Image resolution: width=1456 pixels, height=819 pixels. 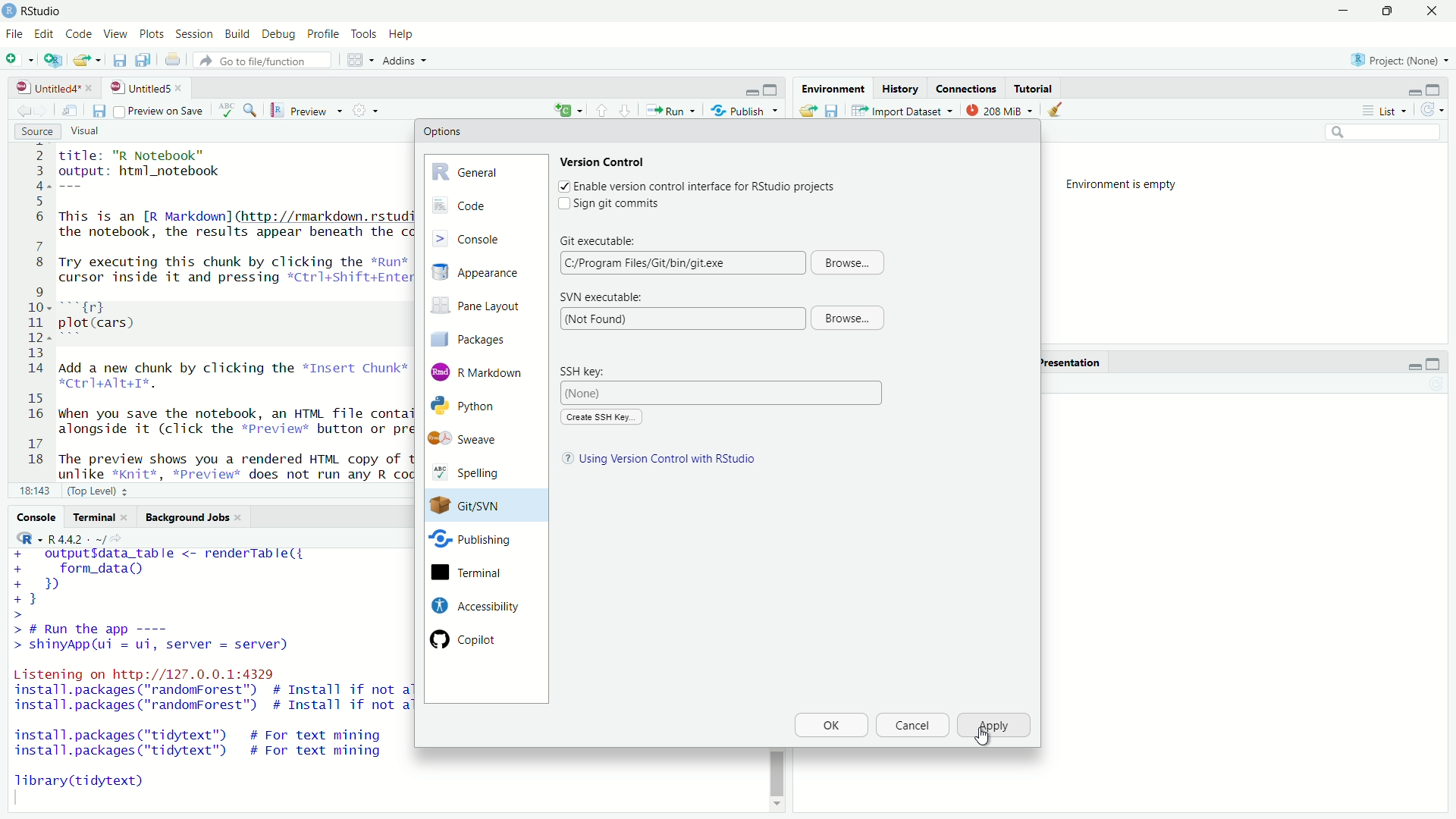 What do you see at coordinates (604, 161) in the screenshot?
I see `Version Control` at bounding box center [604, 161].